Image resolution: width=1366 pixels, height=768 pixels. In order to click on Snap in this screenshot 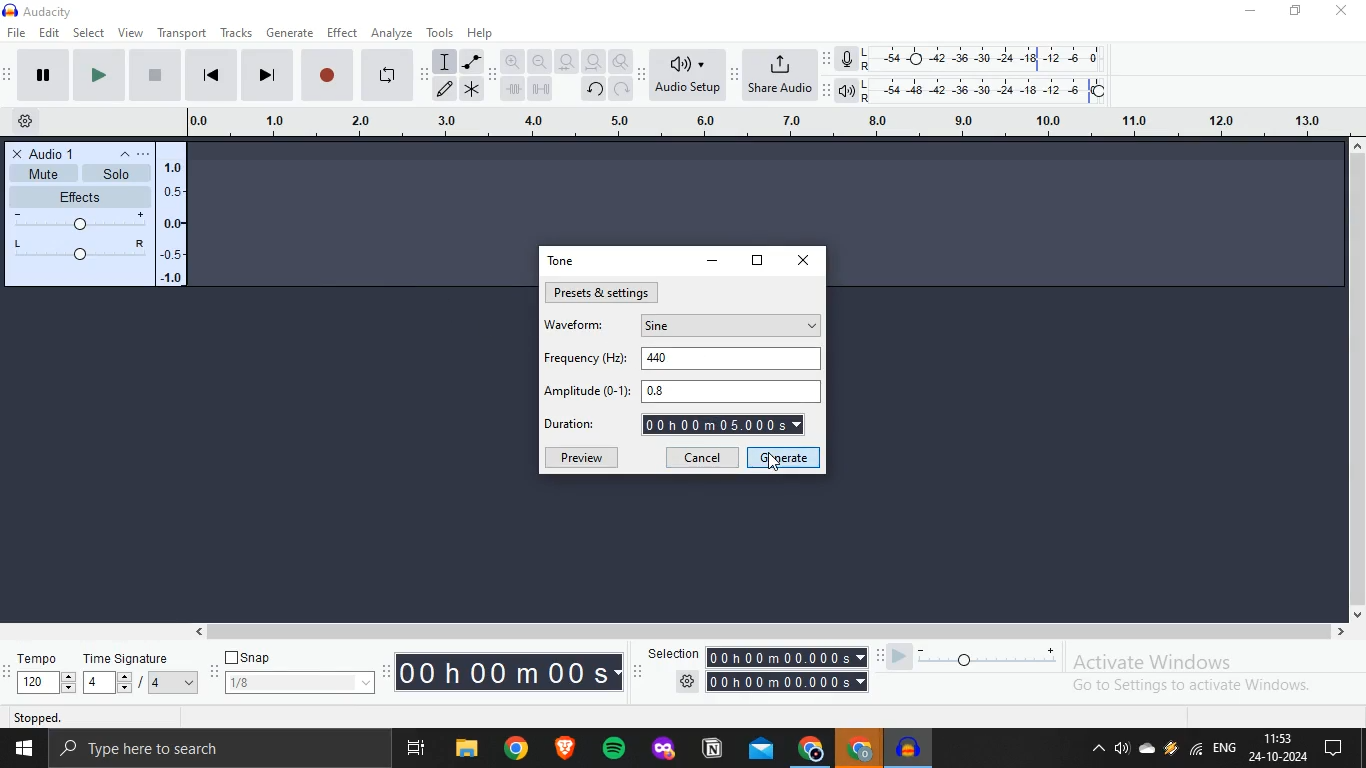, I will do `click(251, 657)`.